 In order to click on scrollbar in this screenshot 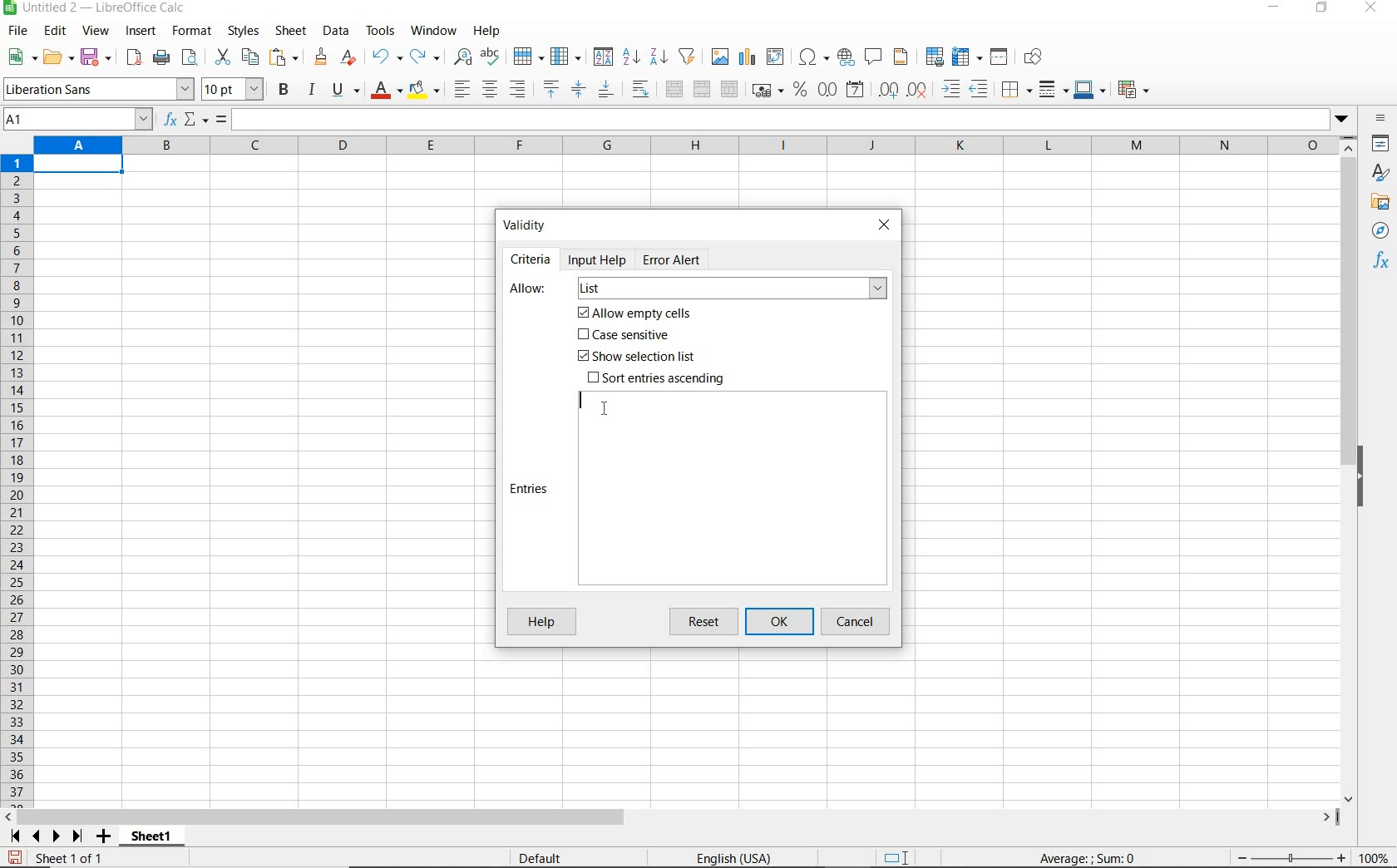, I will do `click(671, 817)`.